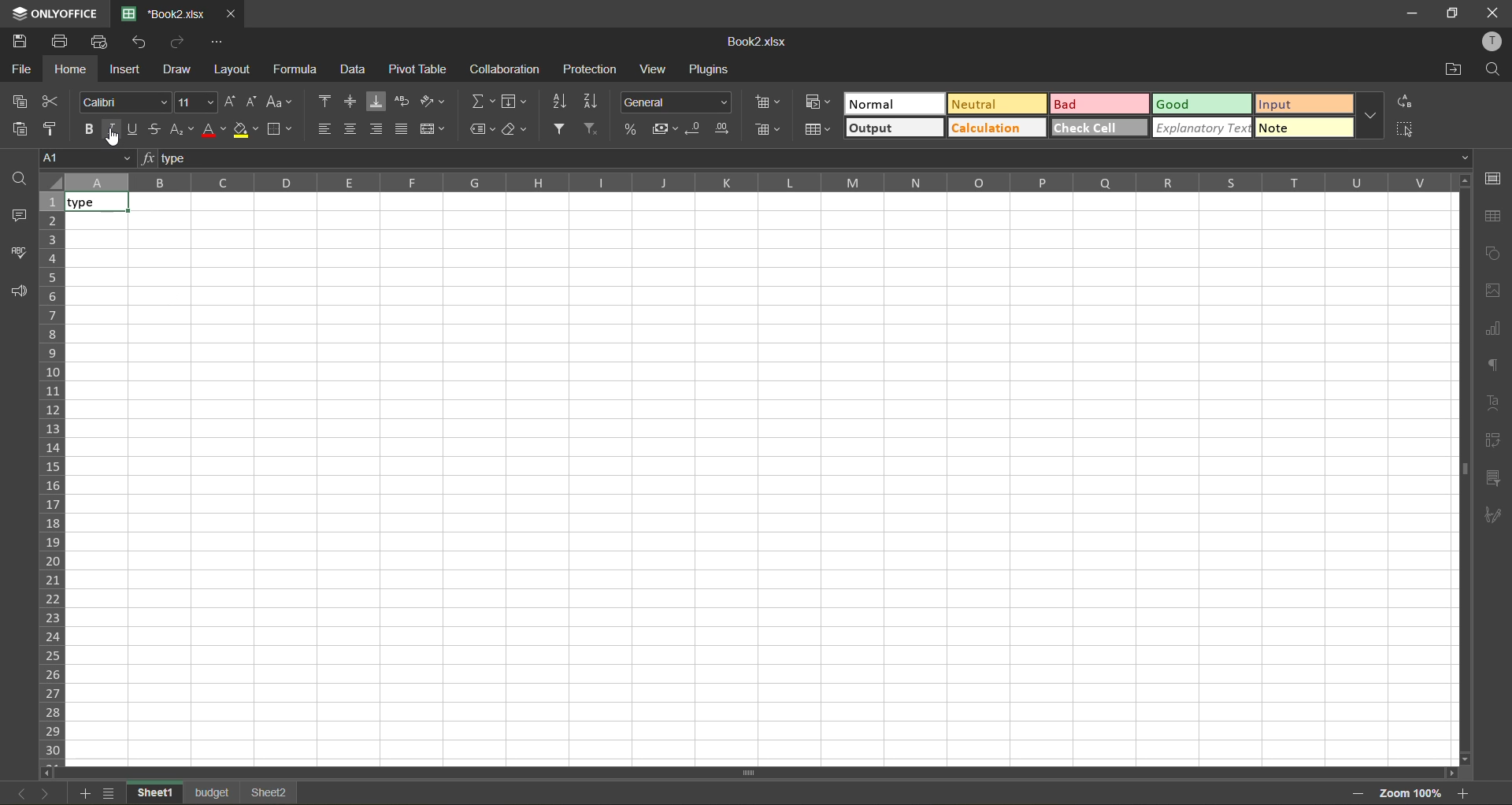 The height and width of the screenshot is (805, 1512). What do you see at coordinates (213, 129) in the screenshot?
I see `font color` at bounding box center [213, 129].